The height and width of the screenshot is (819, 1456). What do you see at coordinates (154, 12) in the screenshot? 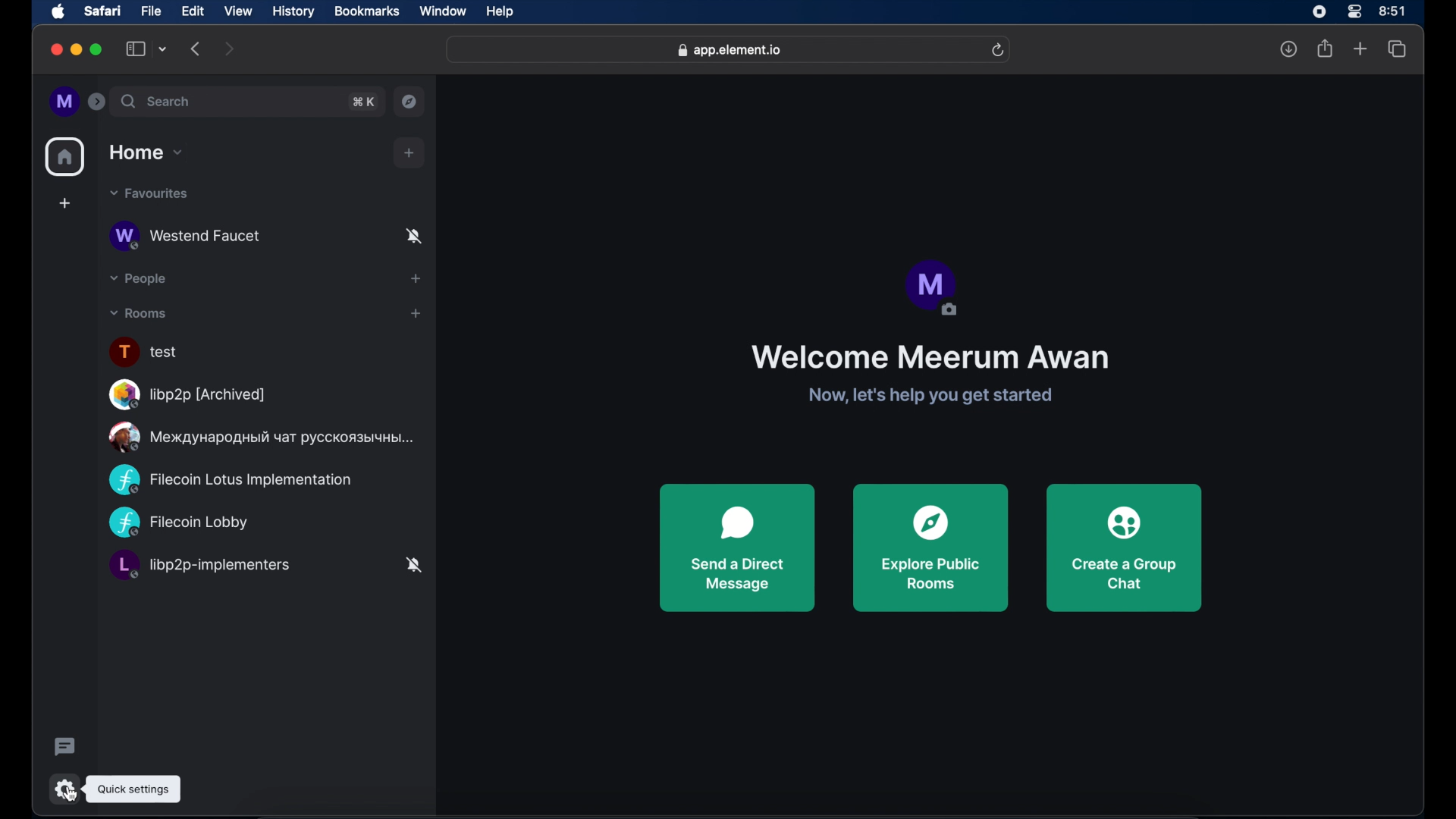
I see `file` at bounding box center [154, 12].